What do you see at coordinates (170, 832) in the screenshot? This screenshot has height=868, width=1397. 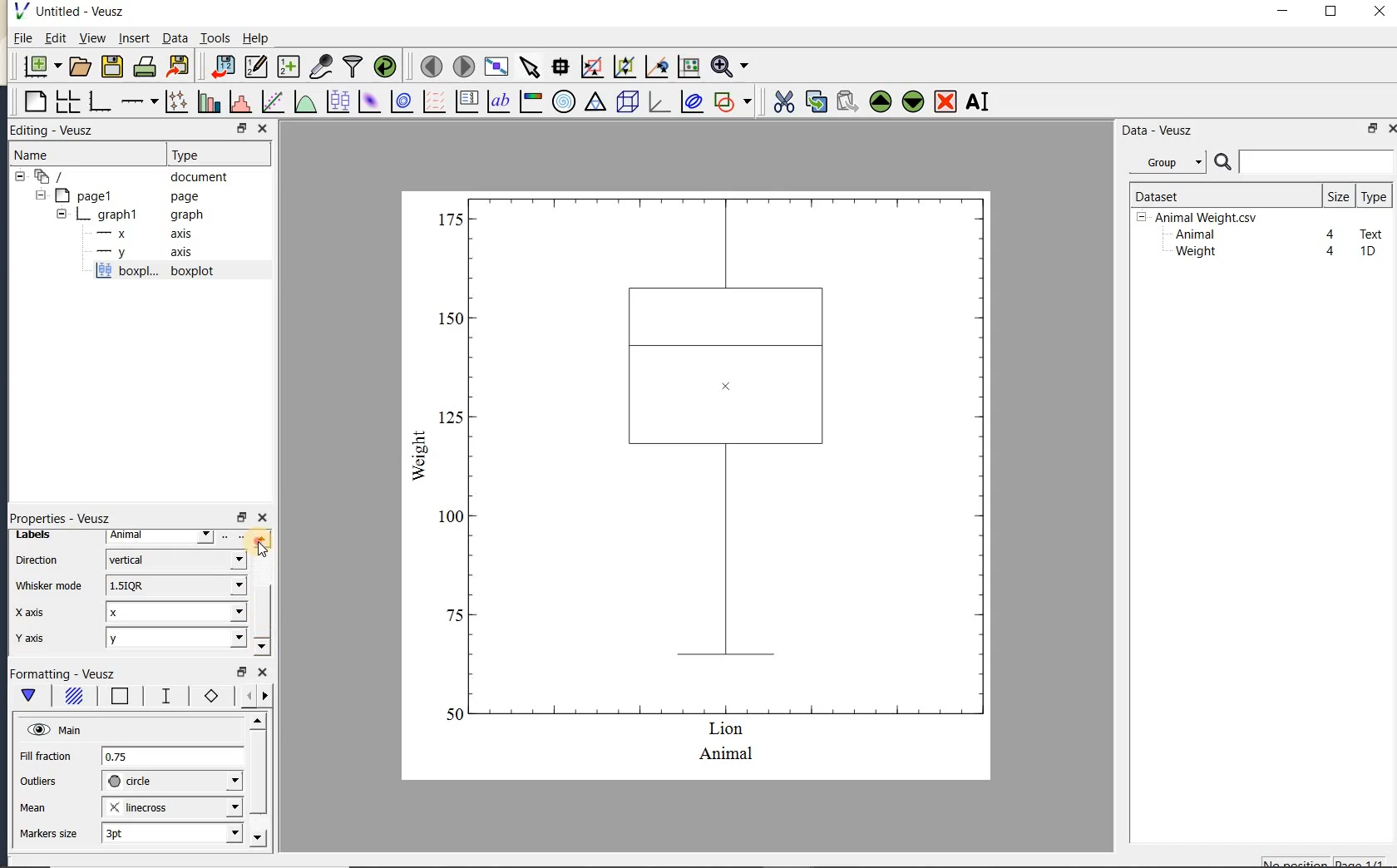 I see `3pt` at bounding box center [170, 832].